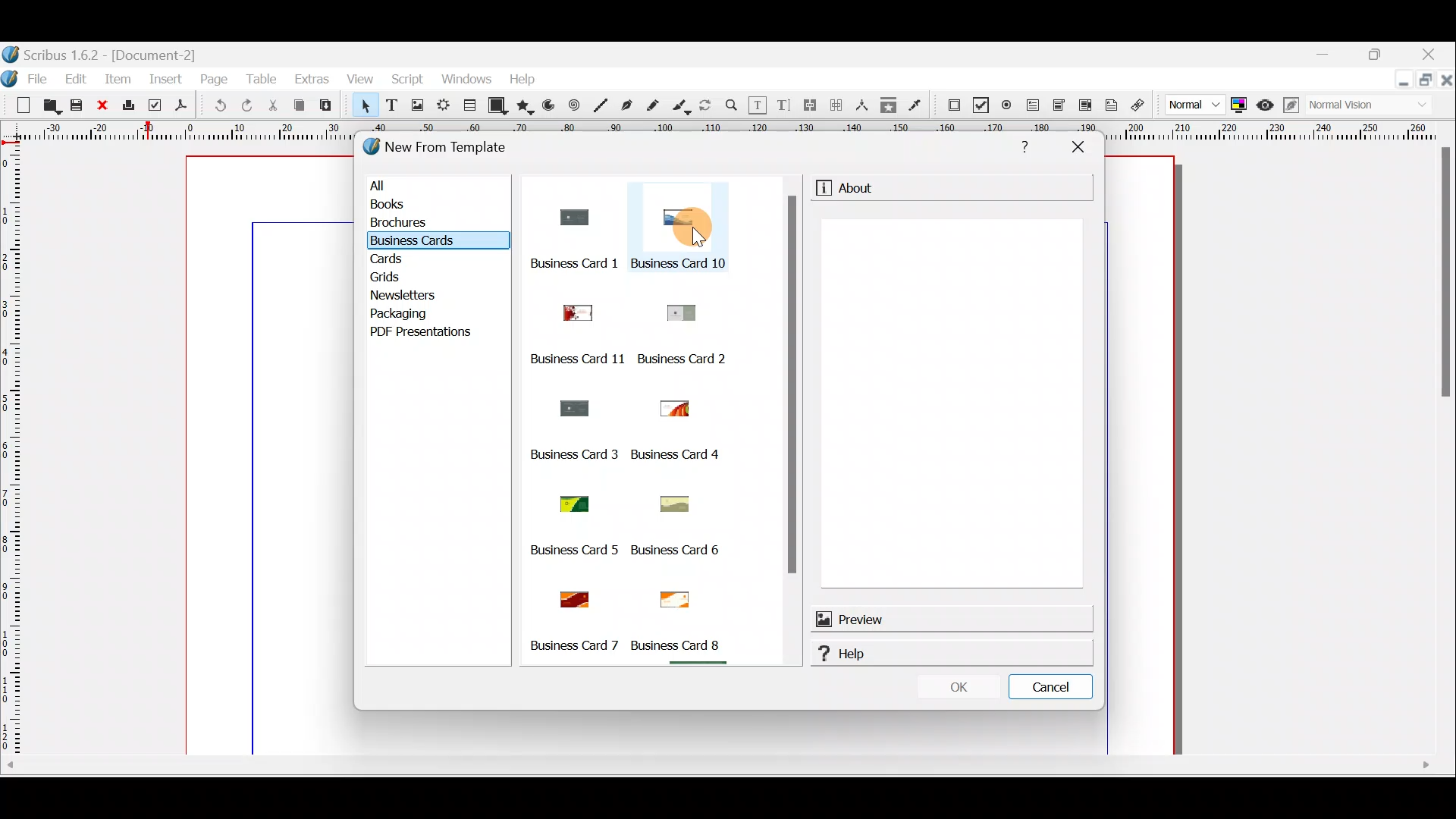 Image resolution: width=1456 pixels, height=819 pixels. What do you see at coordinates (681, 645) in the screenshot?
I see `Business card 6` at bounding box center [681, 645].